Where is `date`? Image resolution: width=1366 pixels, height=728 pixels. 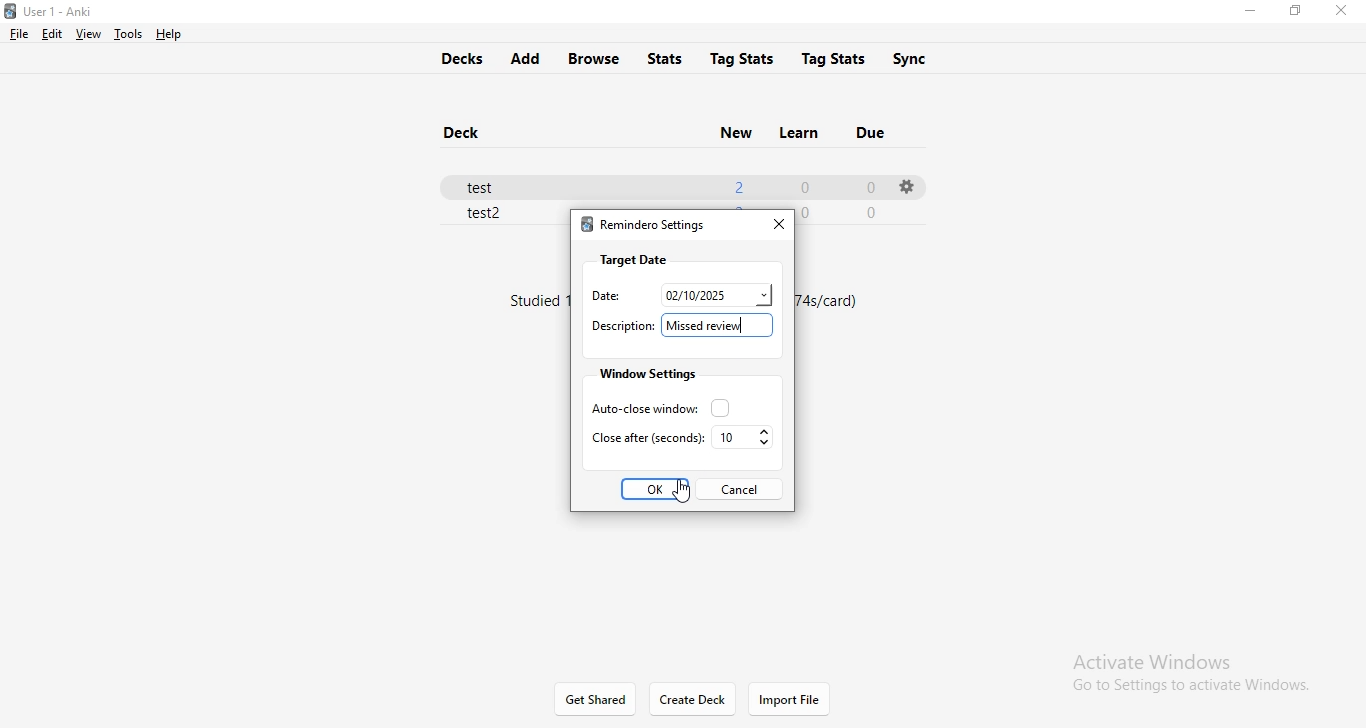
date is located at coordinates (601, 296).